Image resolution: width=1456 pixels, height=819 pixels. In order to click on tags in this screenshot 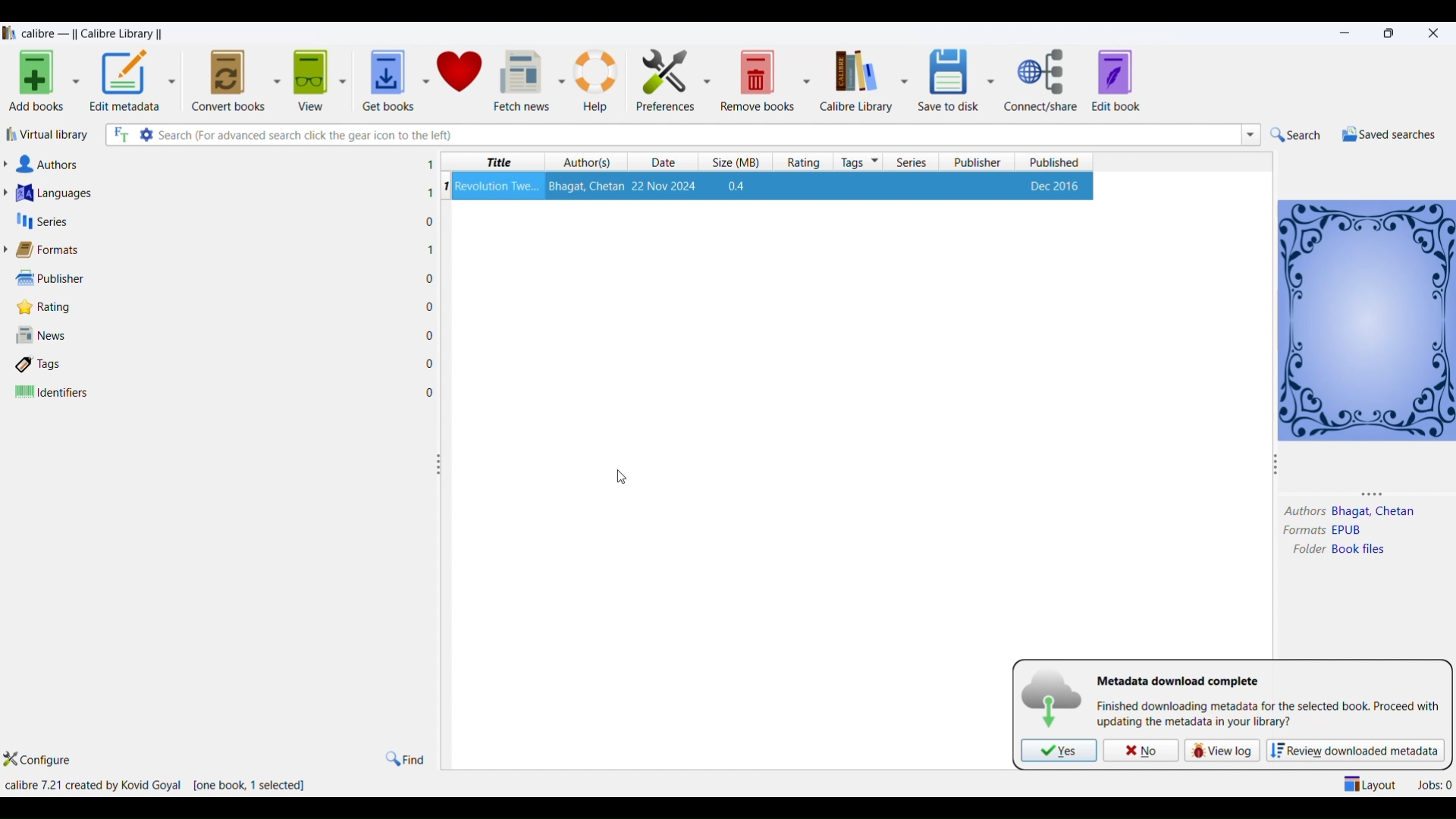, I will do `click(859, 162)`.